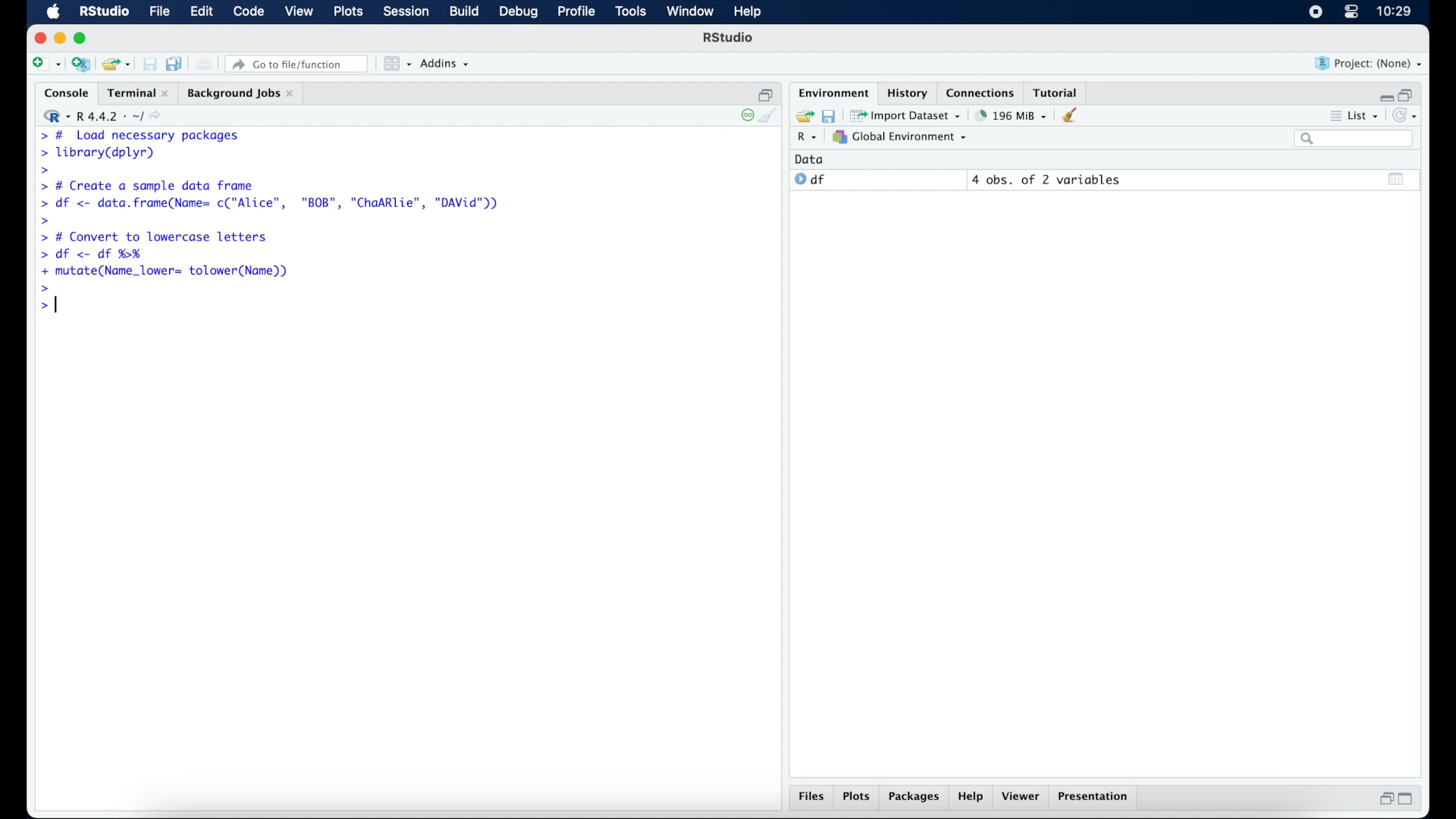 Image resolution: width=1456 pixels, height=819 pixels. I want to click on search bar, so click(1353, 140).